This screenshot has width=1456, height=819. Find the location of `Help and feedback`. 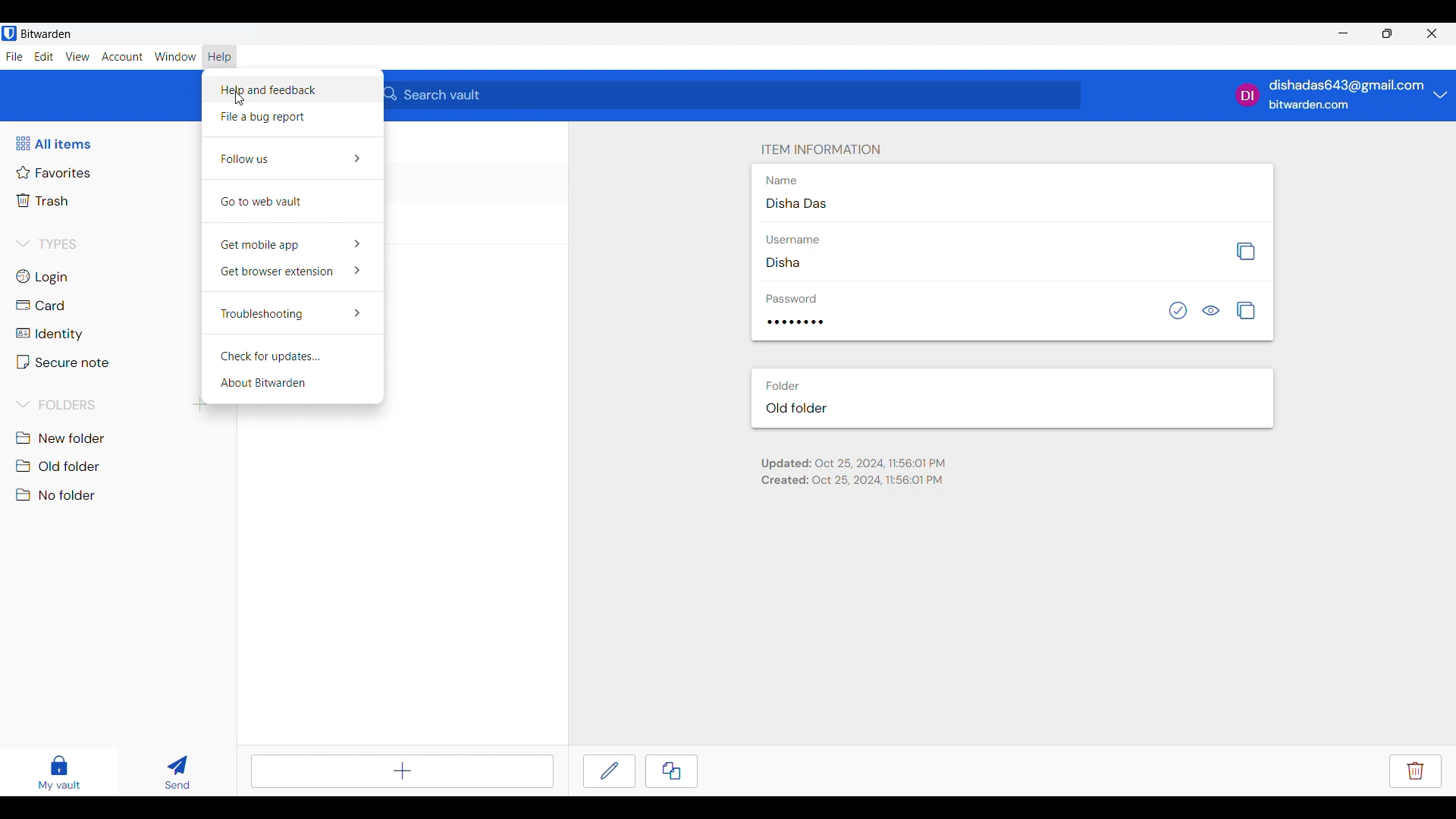

Help and feedback is located at coordinates (291, 89).